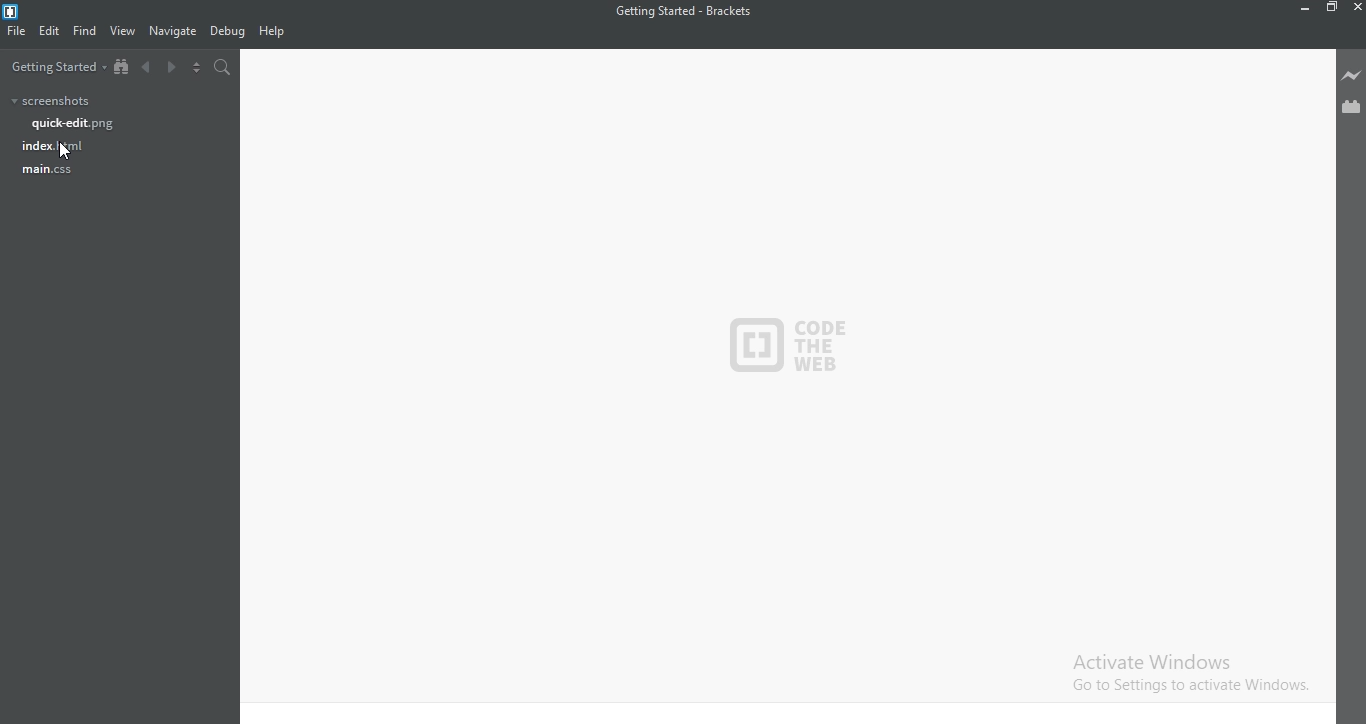  What do you see at coordinates (1351, 76) in the screenshot?
I see `Live preview` at bounding box center [1351, 76].